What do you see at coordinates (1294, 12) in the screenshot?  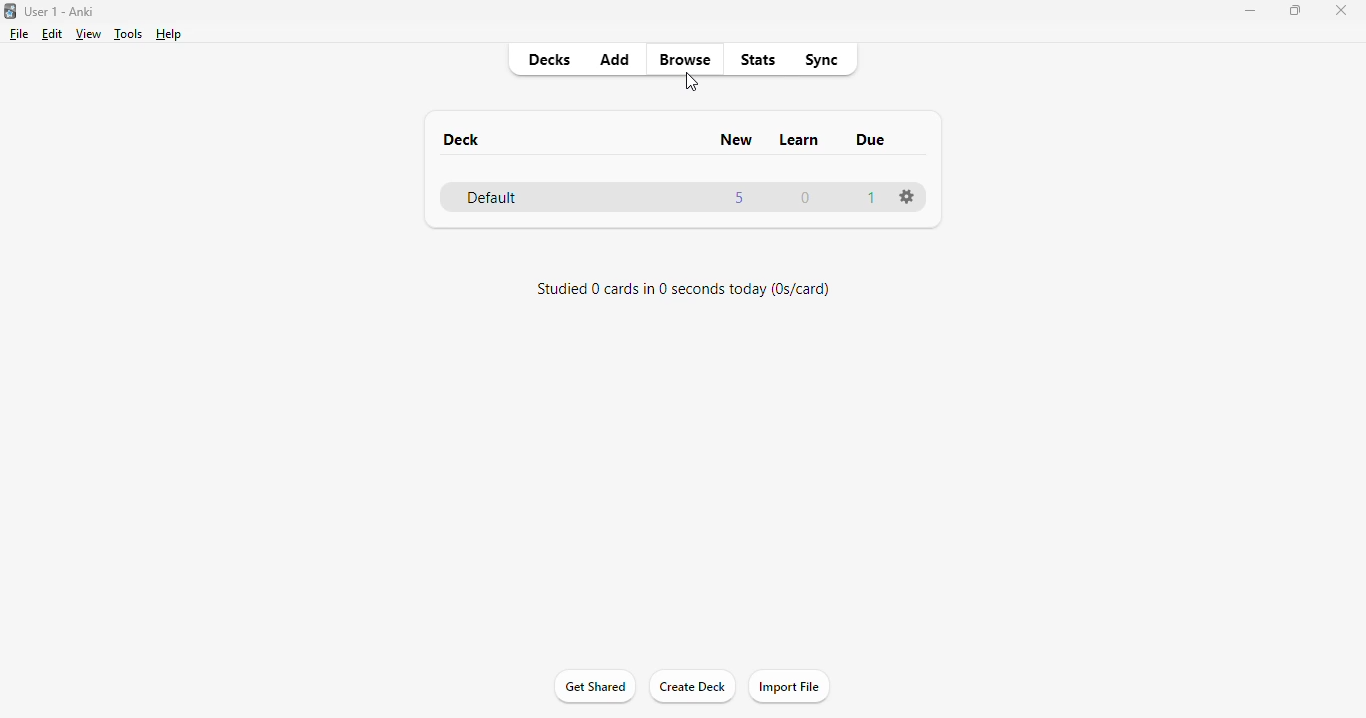 I see `maximize` at bounding box center [1294, 12].